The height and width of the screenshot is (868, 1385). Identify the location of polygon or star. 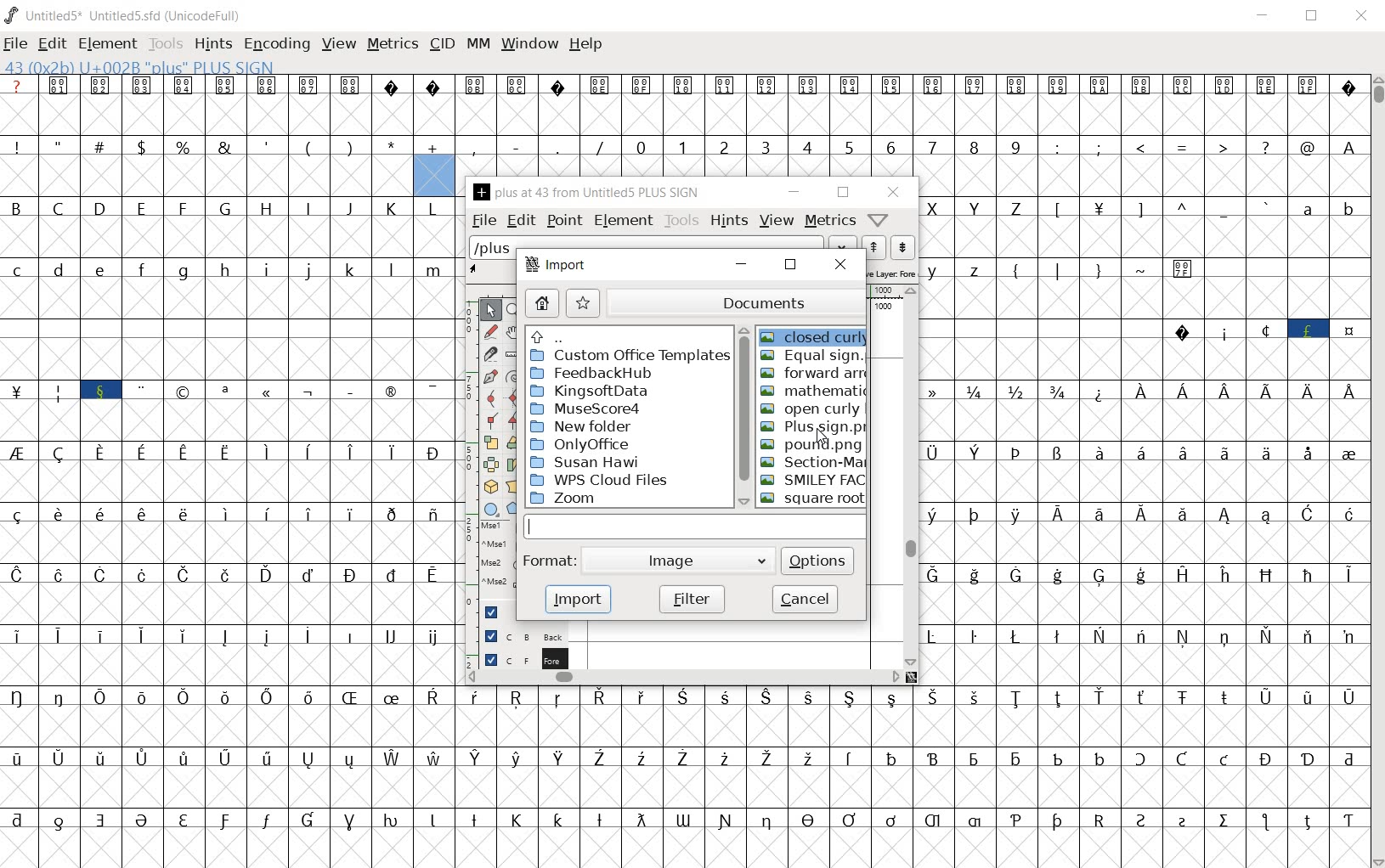
(514, 507).